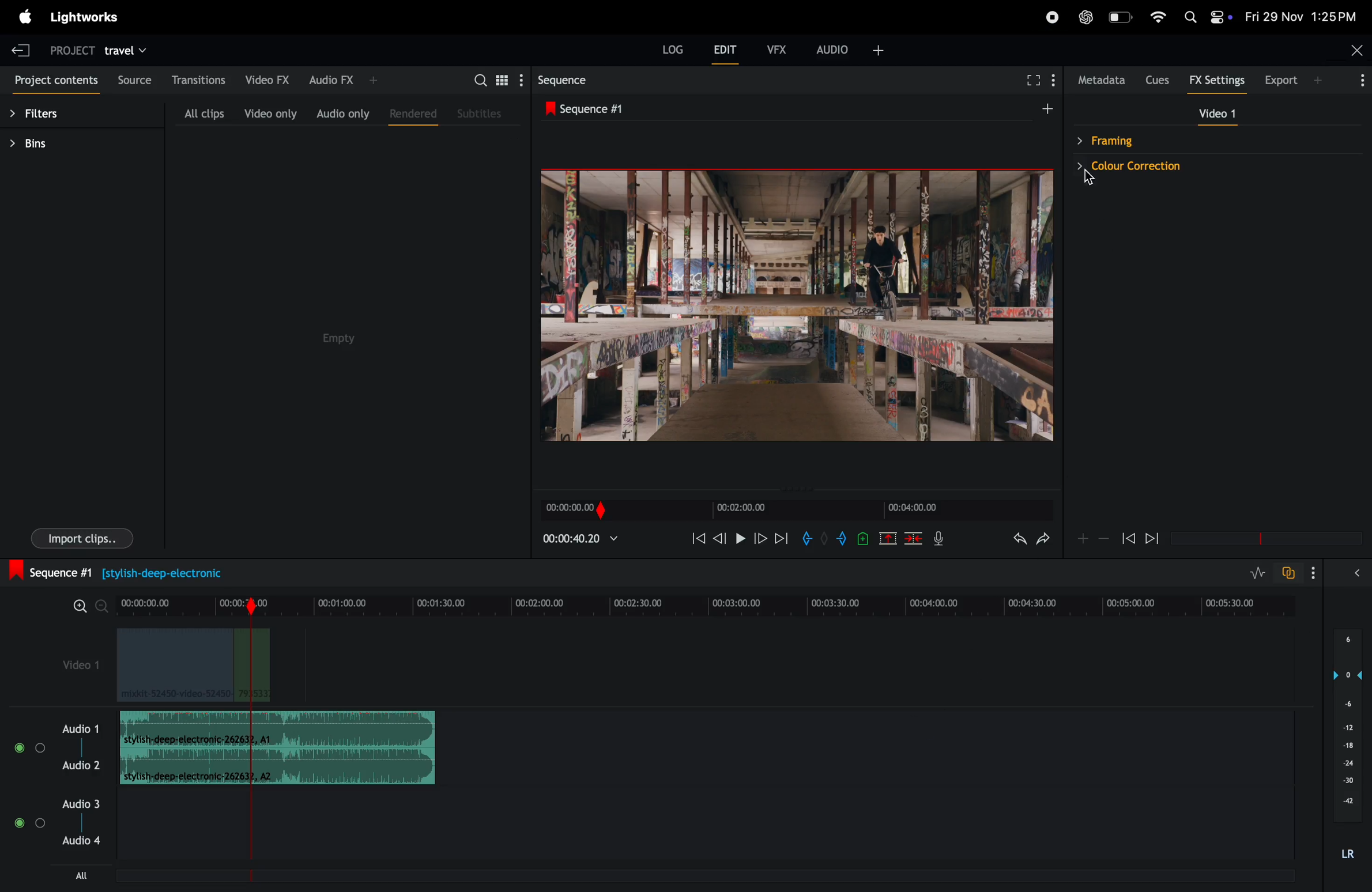 Image resolution: width=1372 pixels, height=892 pixels. I want to click on light works menu, so click(87, 16).